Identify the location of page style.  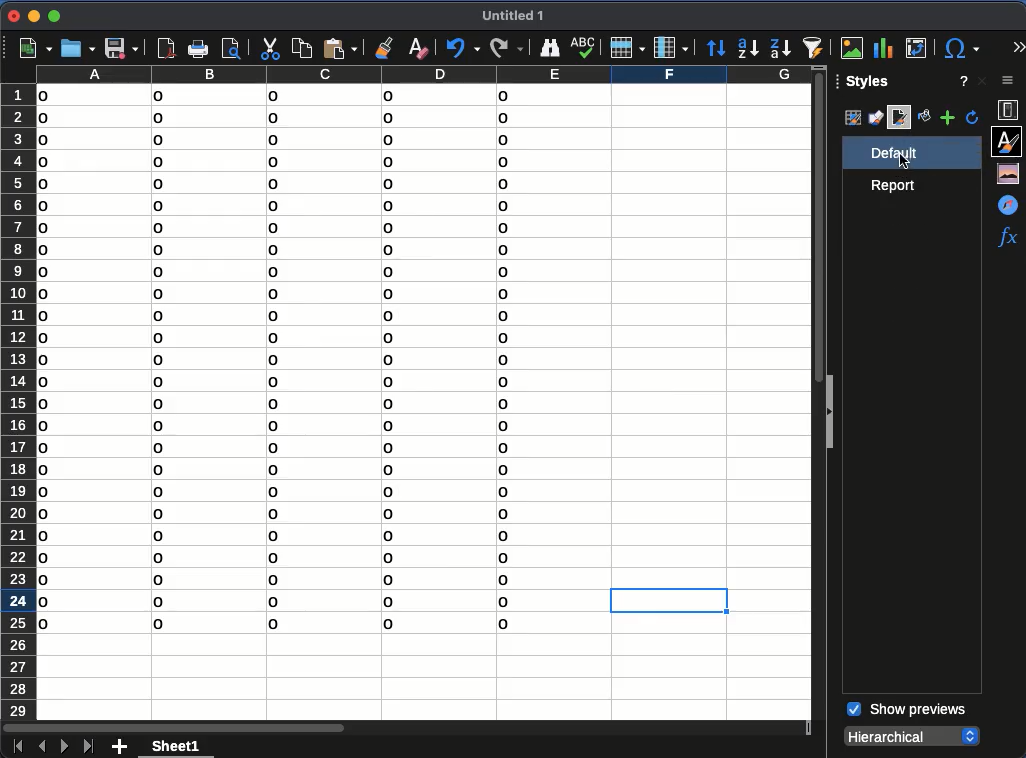
(901, 119).